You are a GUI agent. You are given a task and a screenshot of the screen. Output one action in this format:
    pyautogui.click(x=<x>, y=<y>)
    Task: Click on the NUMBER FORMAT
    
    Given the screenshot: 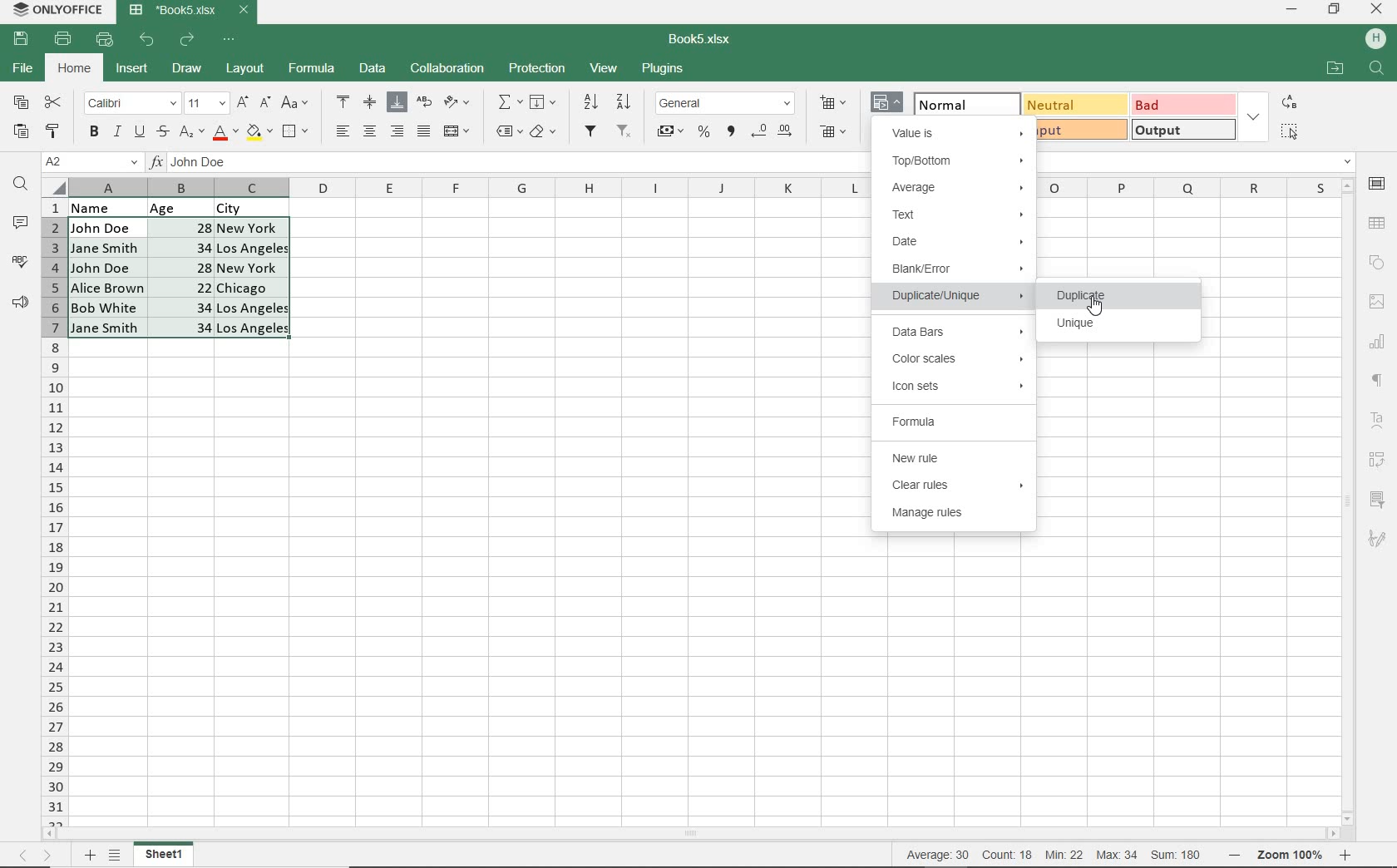 What is the action you would take?
    pyautogui.click(x=727, y=102)
    